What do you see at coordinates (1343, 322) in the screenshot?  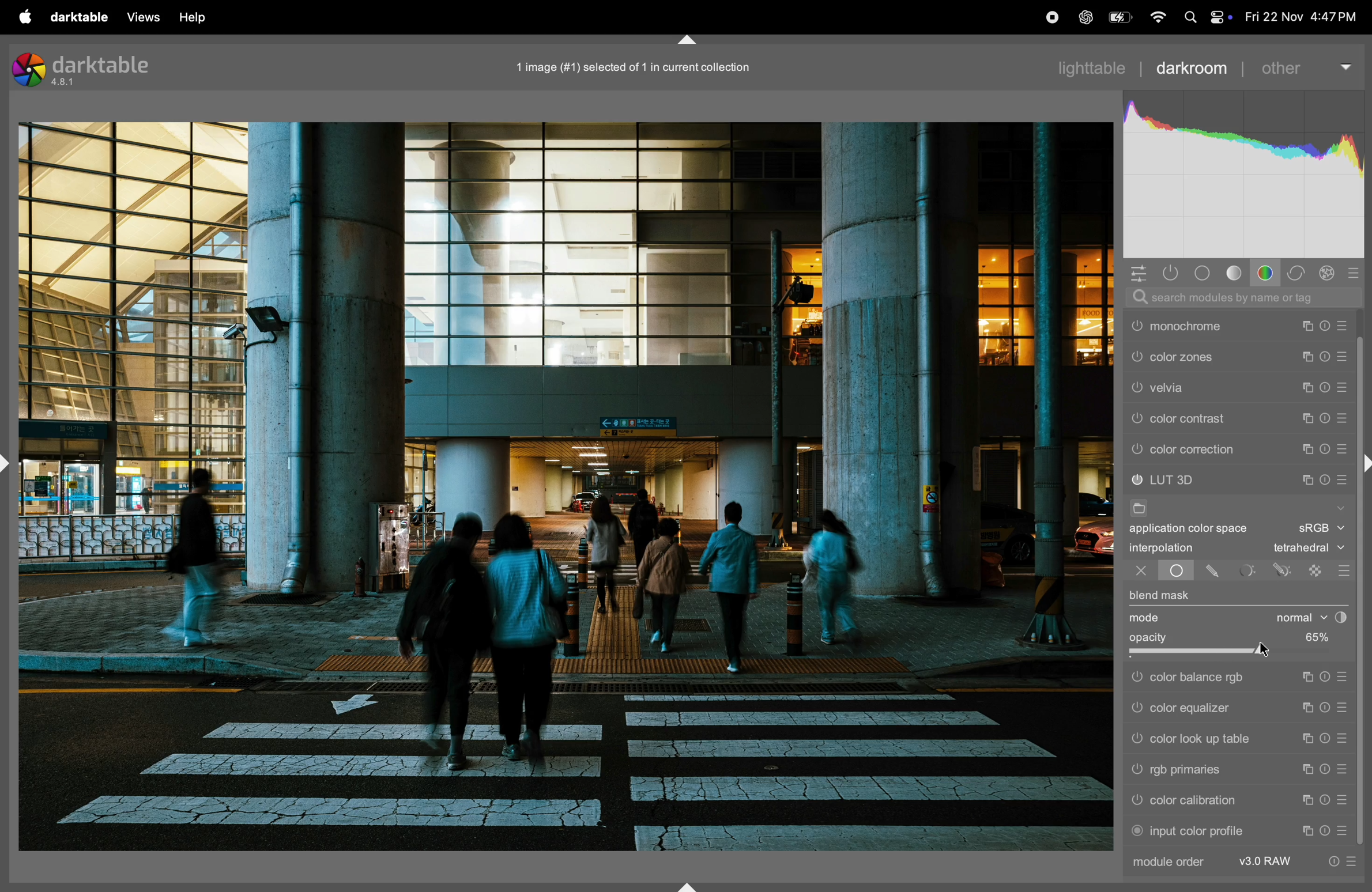 I see `presets` at bounding box center [1343, 322].